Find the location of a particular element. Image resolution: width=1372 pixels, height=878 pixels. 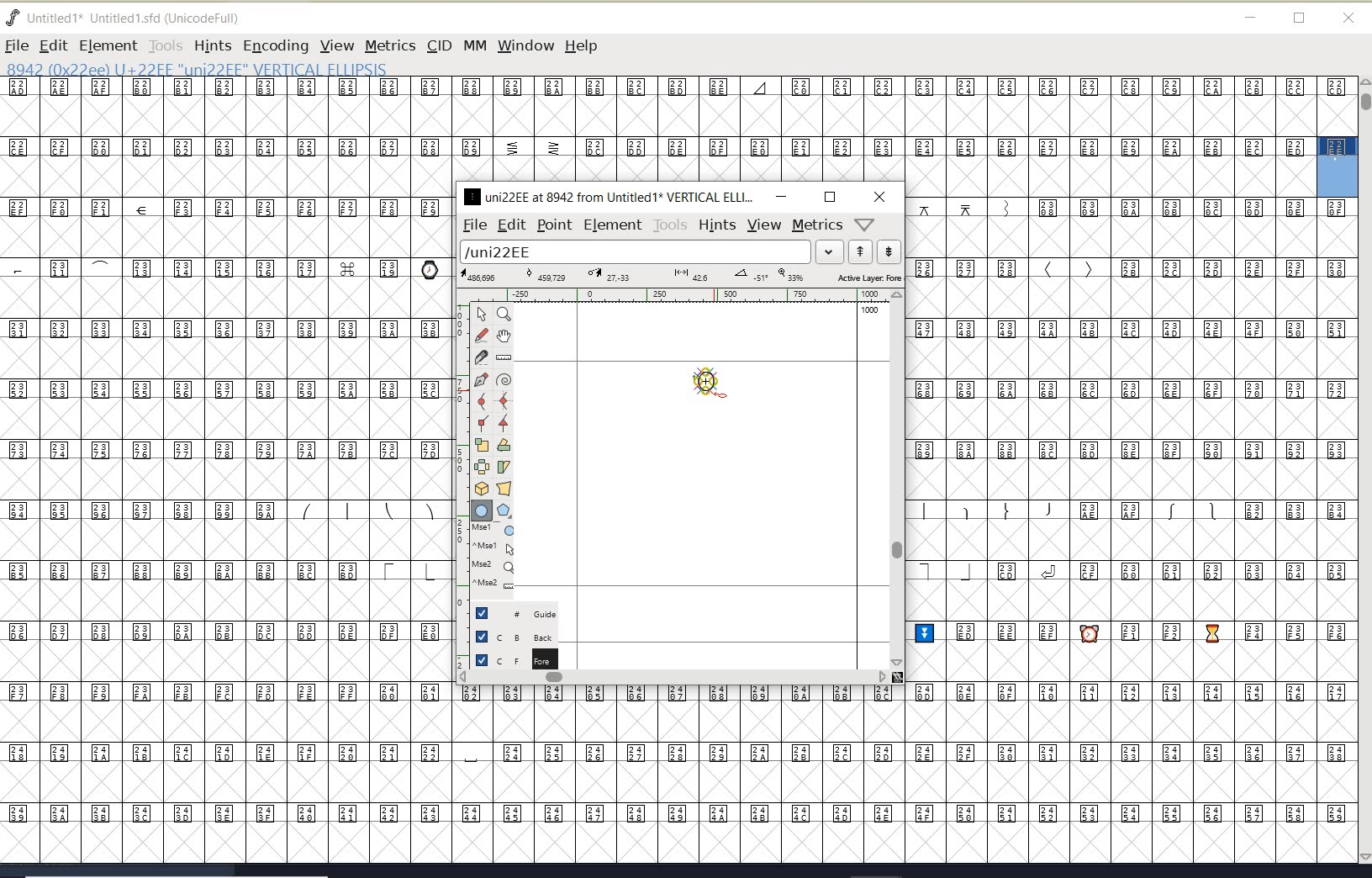

change whether spiro is active or not is located at coordinates (504, 382).